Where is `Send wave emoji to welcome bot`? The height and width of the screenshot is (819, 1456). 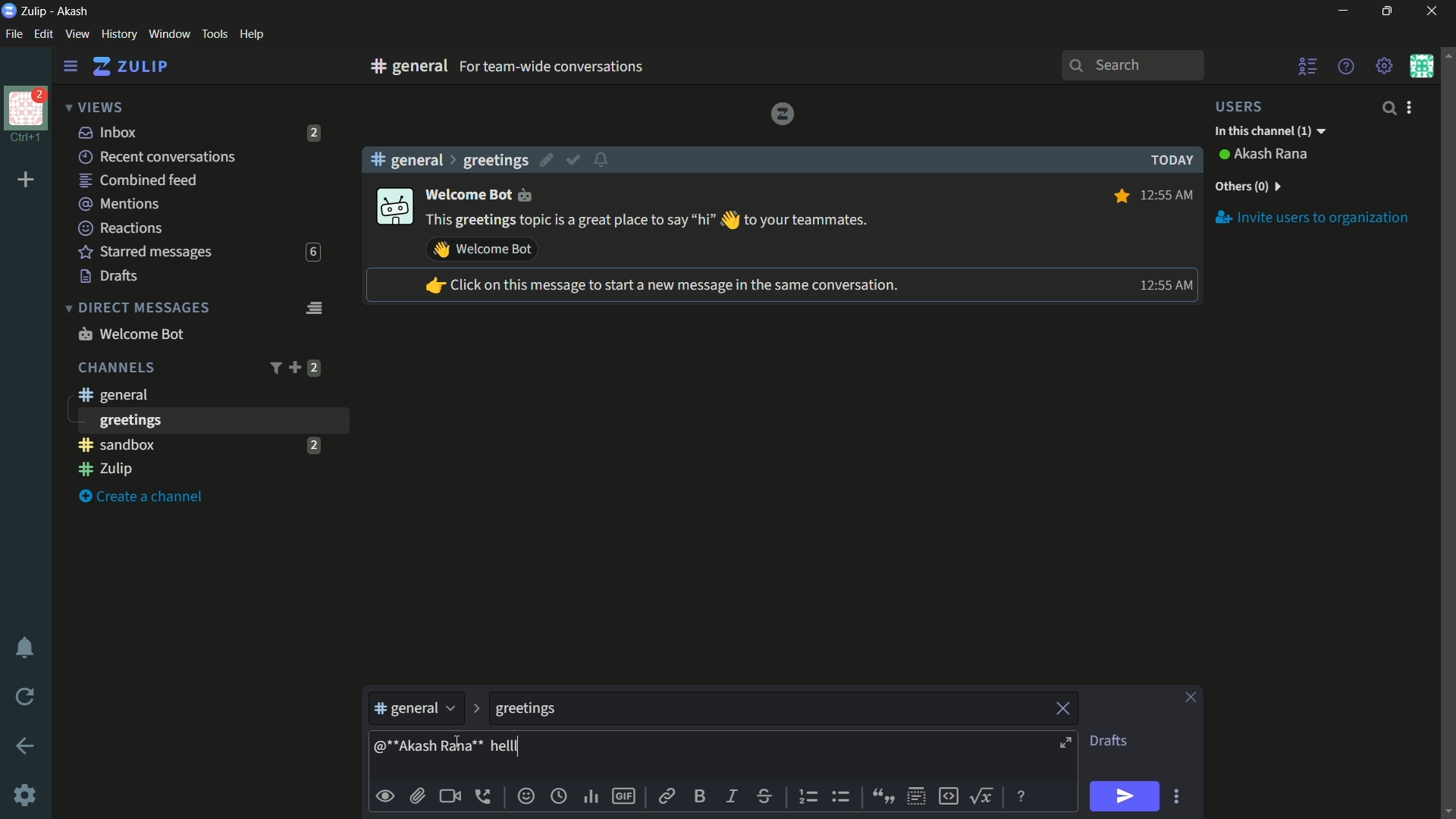
Send wave emoji to welcome bot is located at coordinates (482, 249).